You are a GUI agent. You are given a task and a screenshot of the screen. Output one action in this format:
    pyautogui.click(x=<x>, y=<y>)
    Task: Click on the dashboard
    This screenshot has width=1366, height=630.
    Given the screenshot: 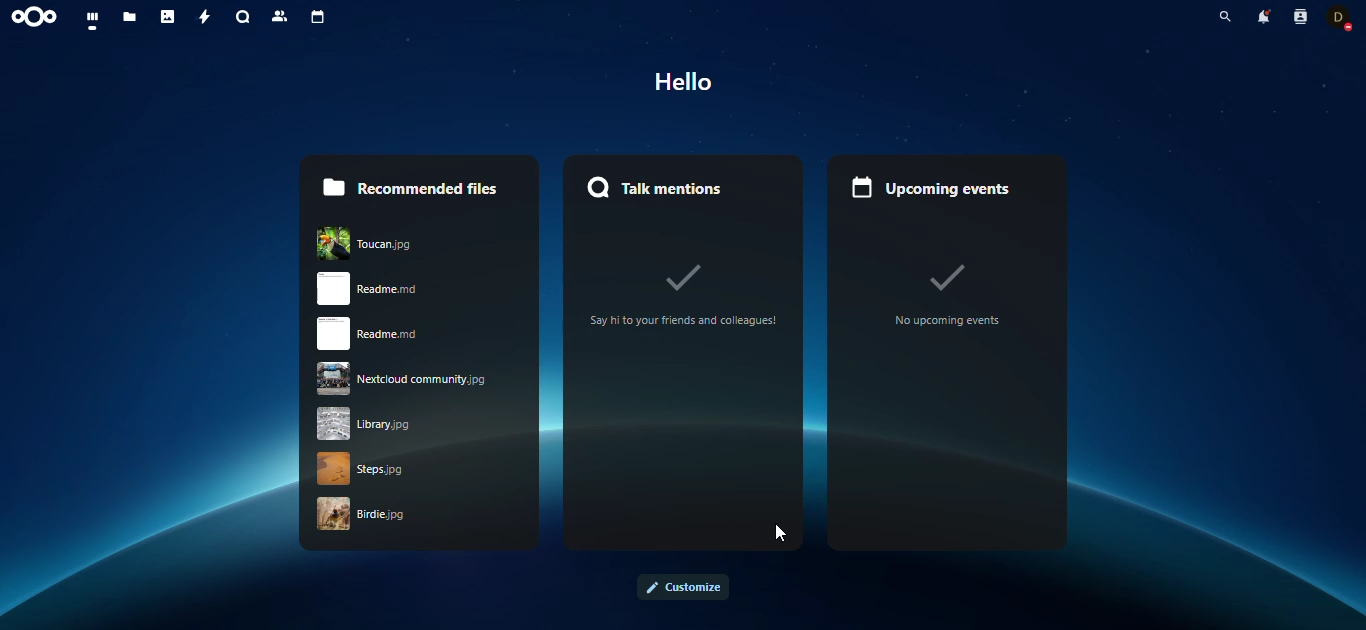 What is the action you would take?
    pyautogui.click(x=94, y=19)
    